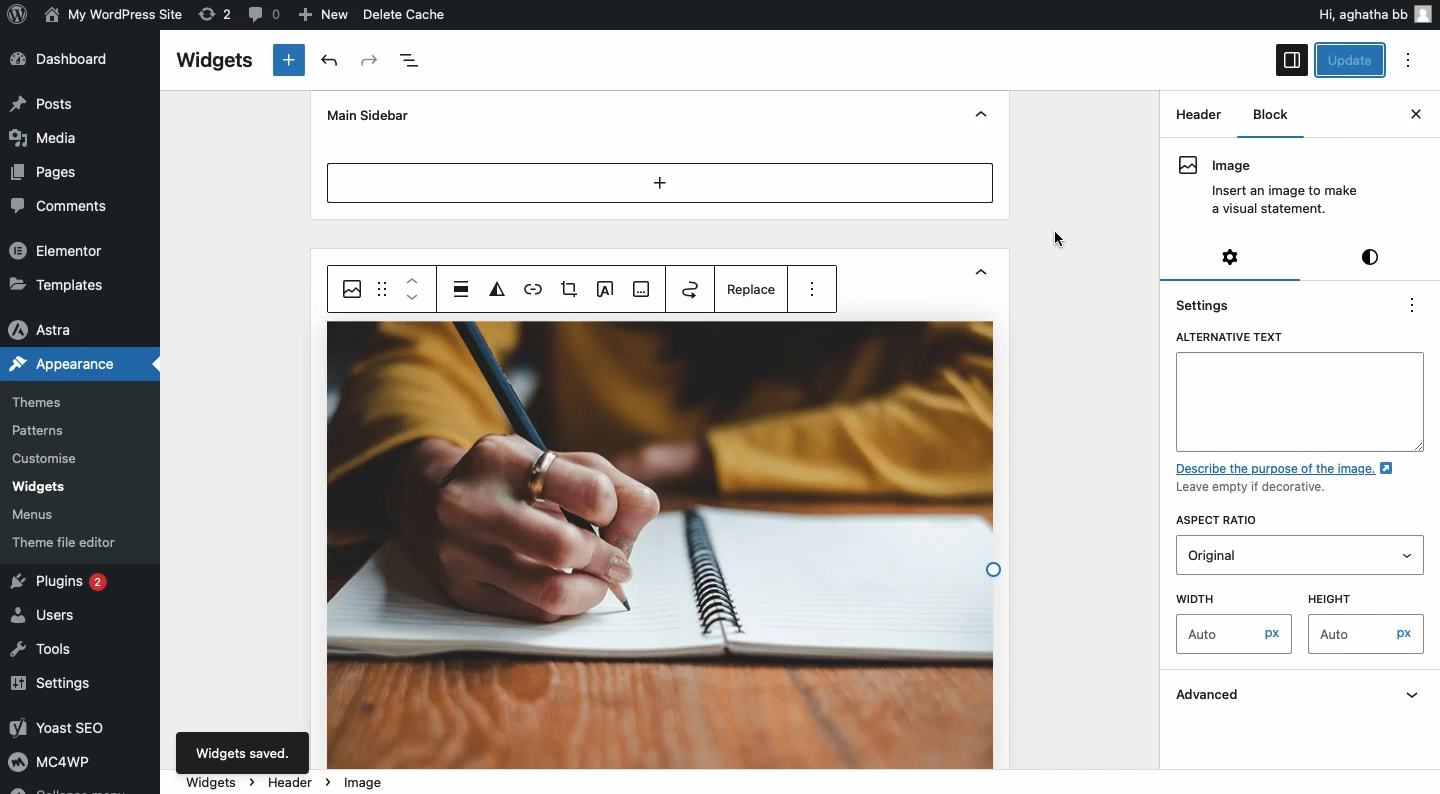  I want to click on Image purpose, so click(1291, 479).